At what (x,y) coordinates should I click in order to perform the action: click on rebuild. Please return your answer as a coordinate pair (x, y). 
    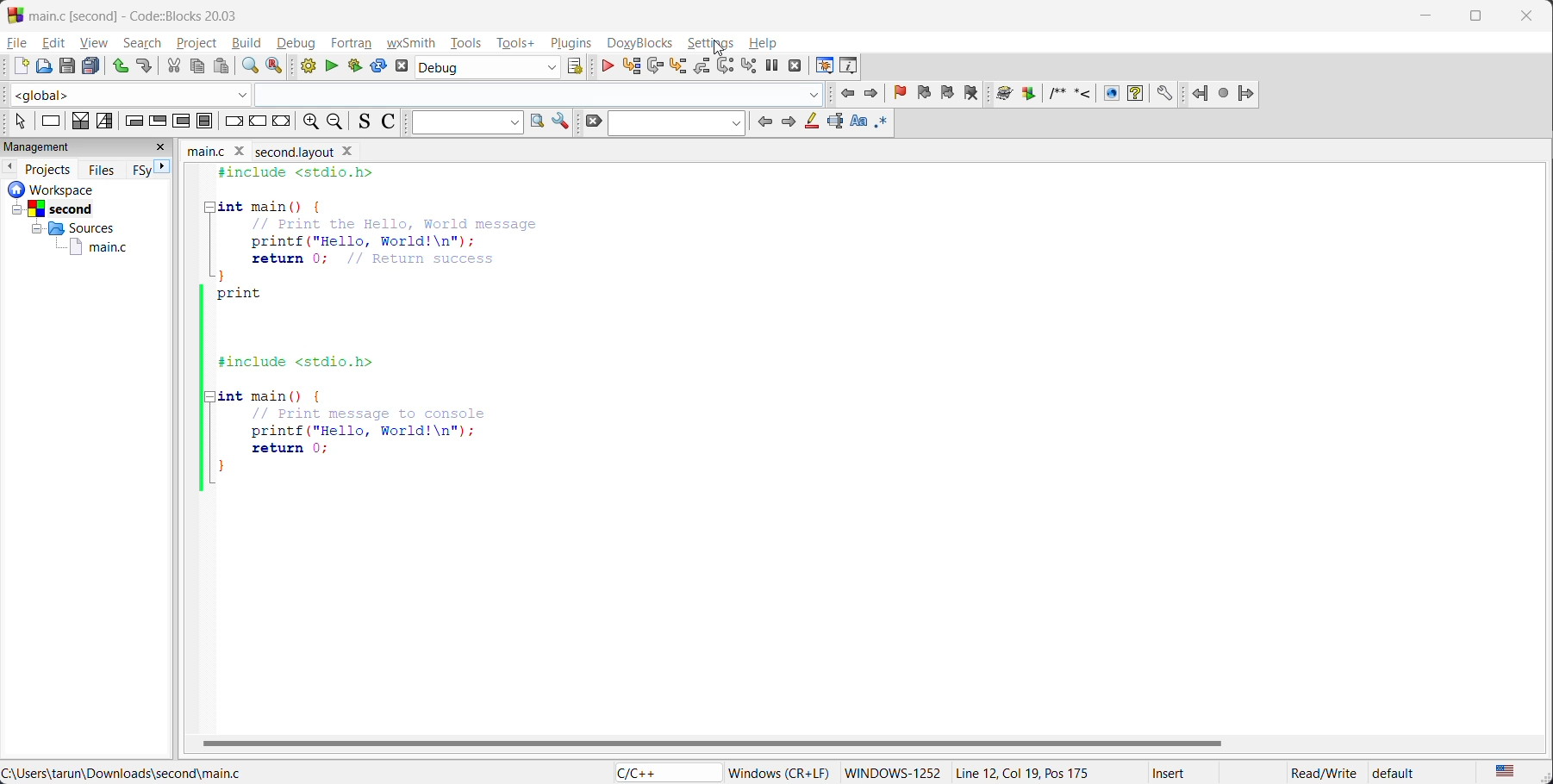
    Looking at the image, I should click on (377, 68).